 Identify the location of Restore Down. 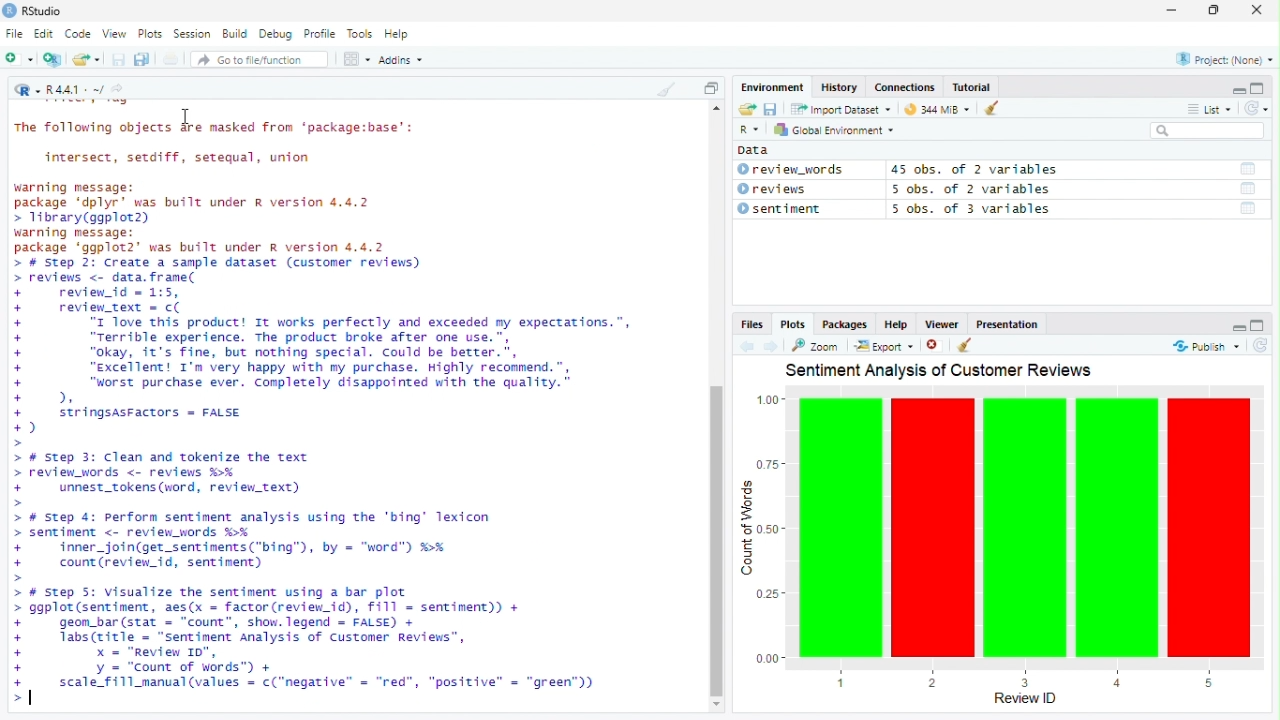
(1216, 11).